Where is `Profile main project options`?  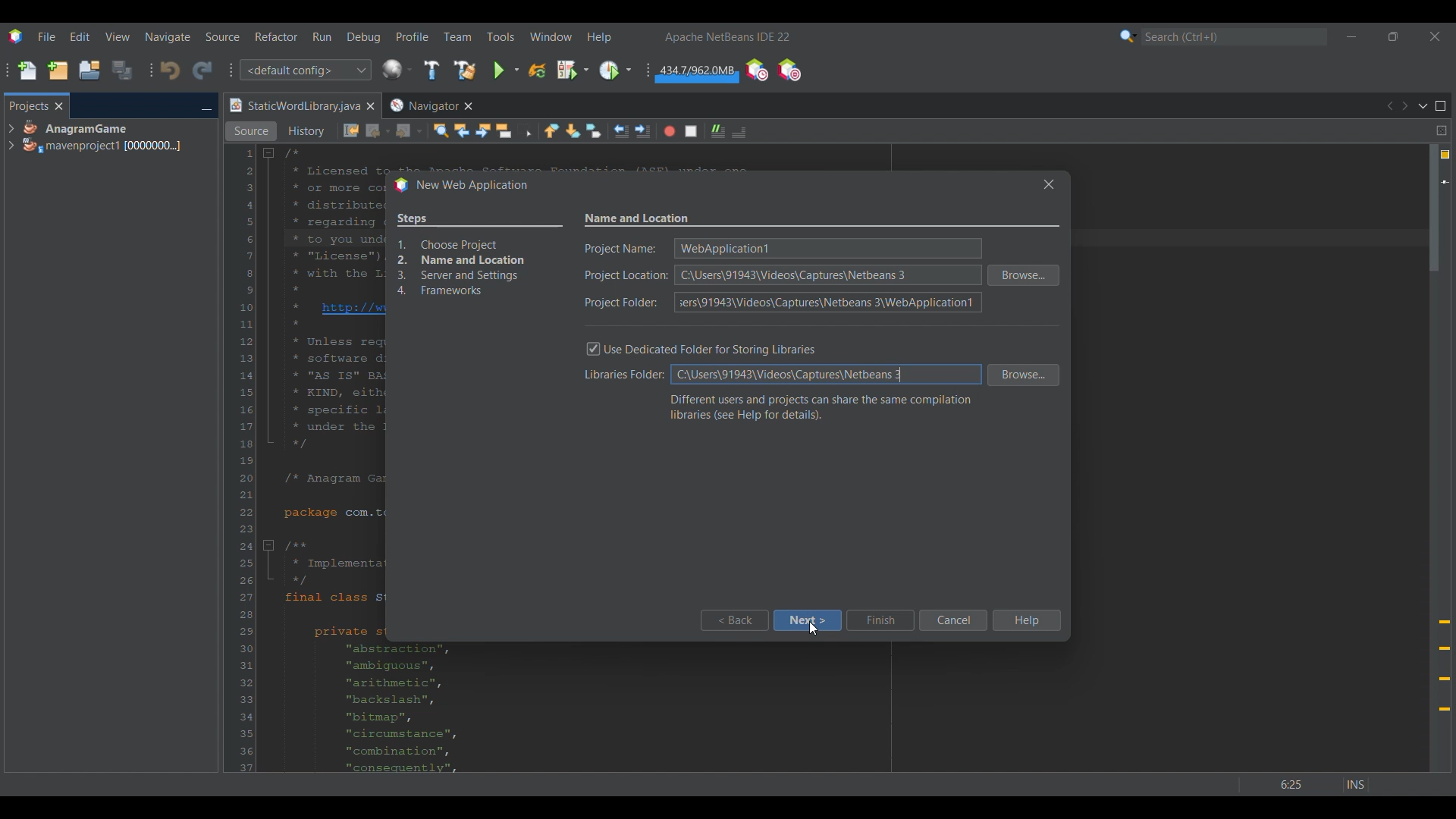 Profile main project options is located at coordinates (615, 71).